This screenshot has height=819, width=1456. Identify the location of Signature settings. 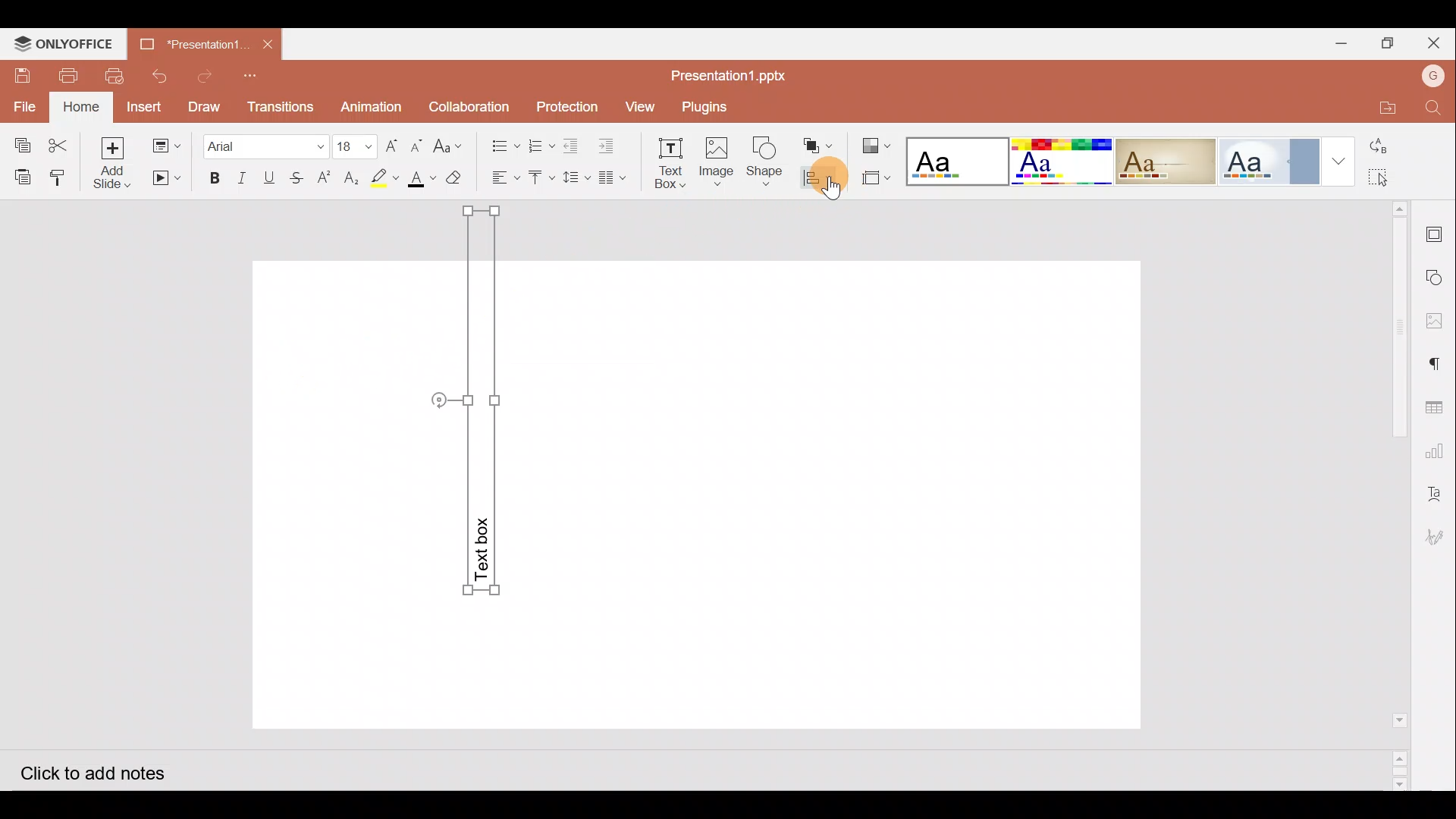
(1436, 539).